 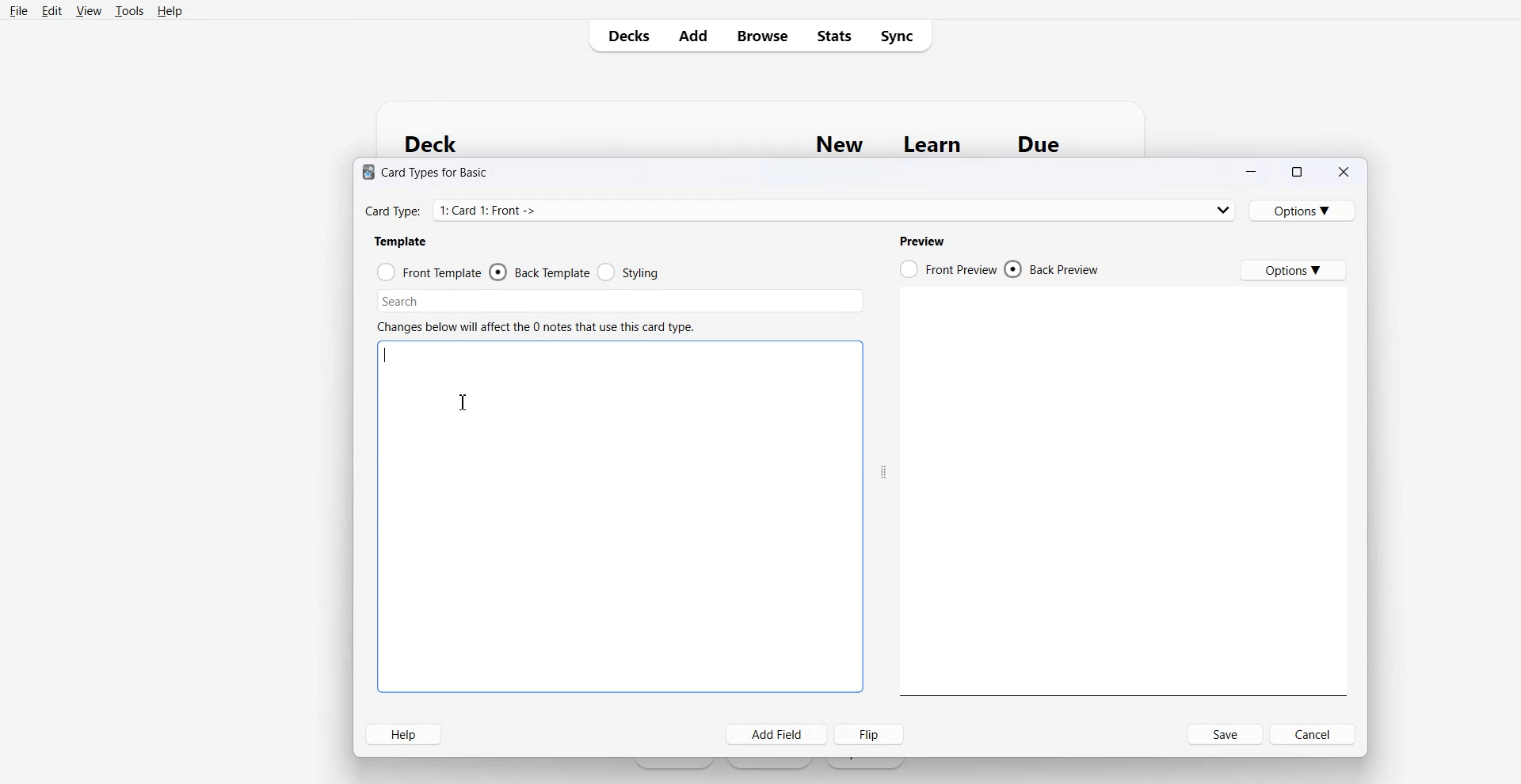 I want to click on Stats, so click(x=832, y=35).